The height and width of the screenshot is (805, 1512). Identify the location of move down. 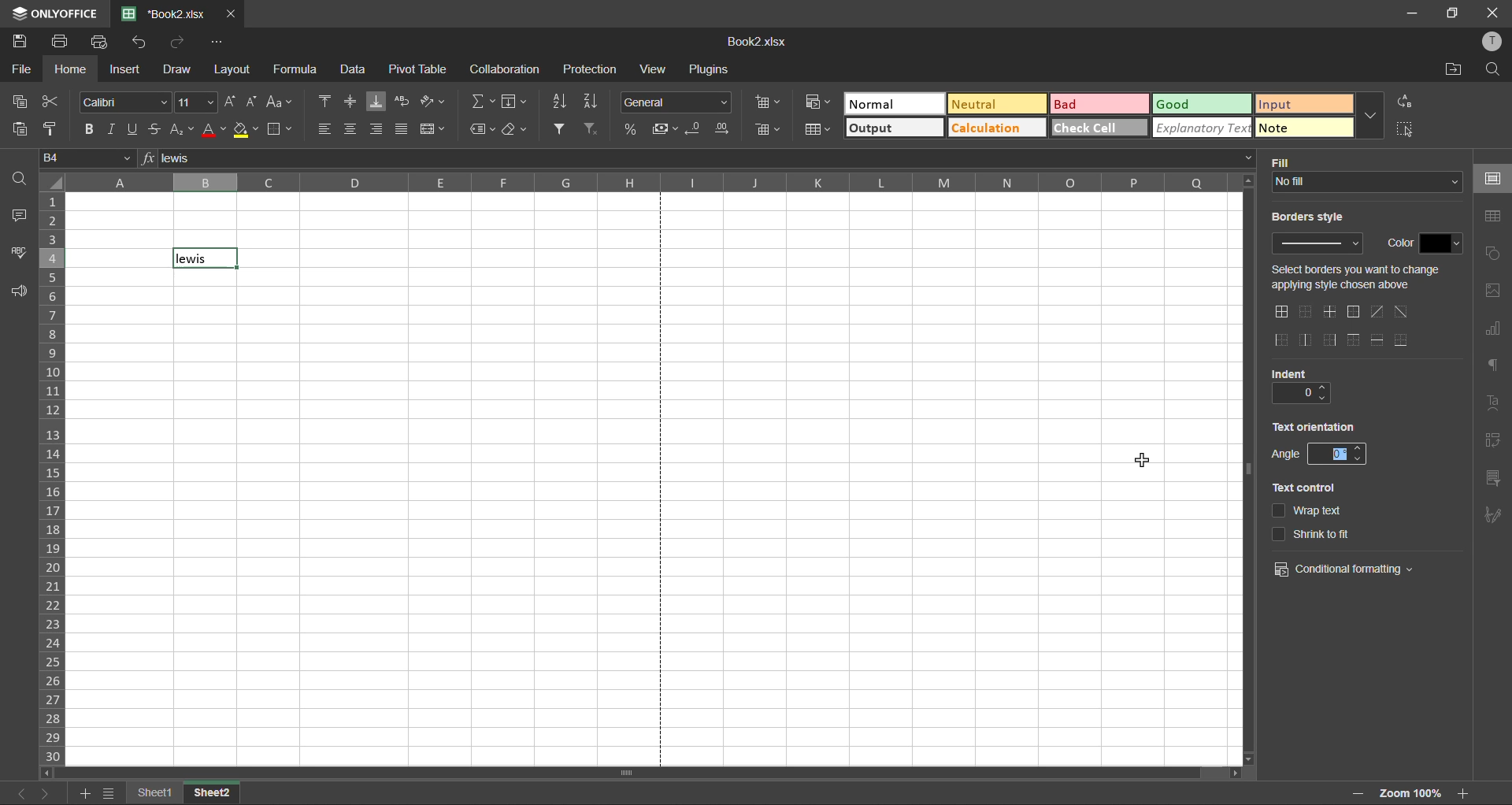
(1246, 759).